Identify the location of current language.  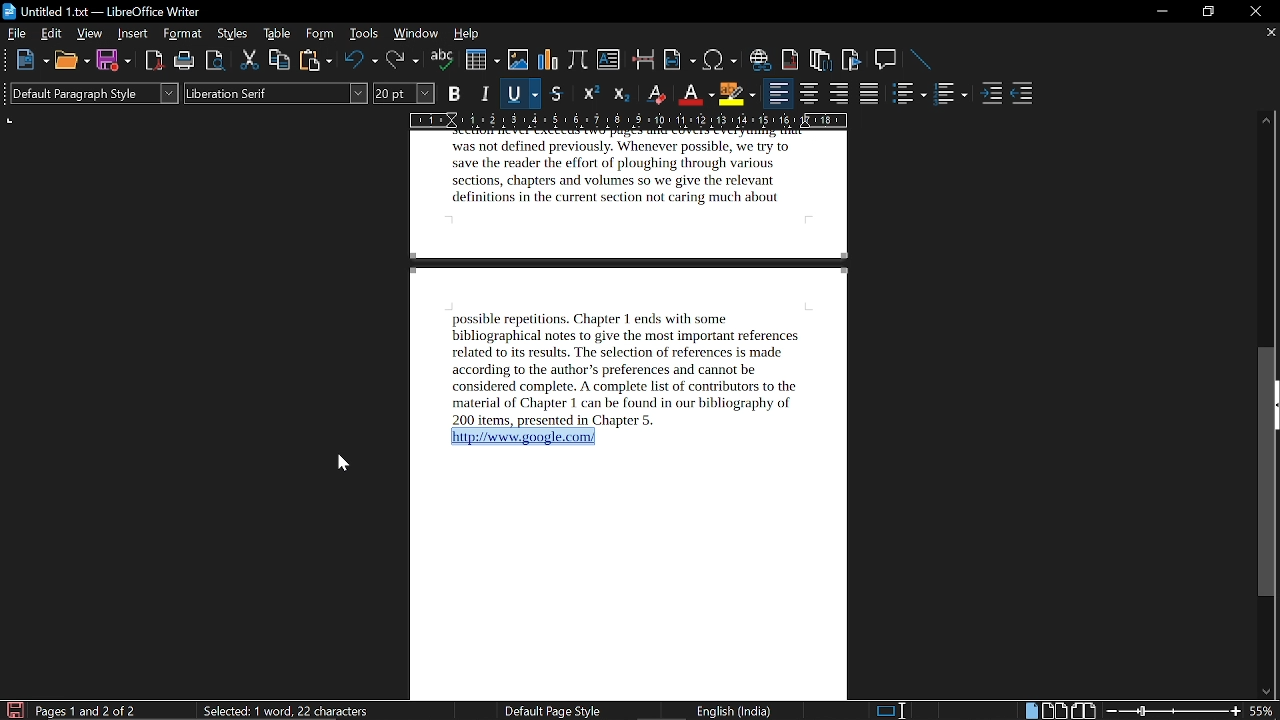
(732, 711).